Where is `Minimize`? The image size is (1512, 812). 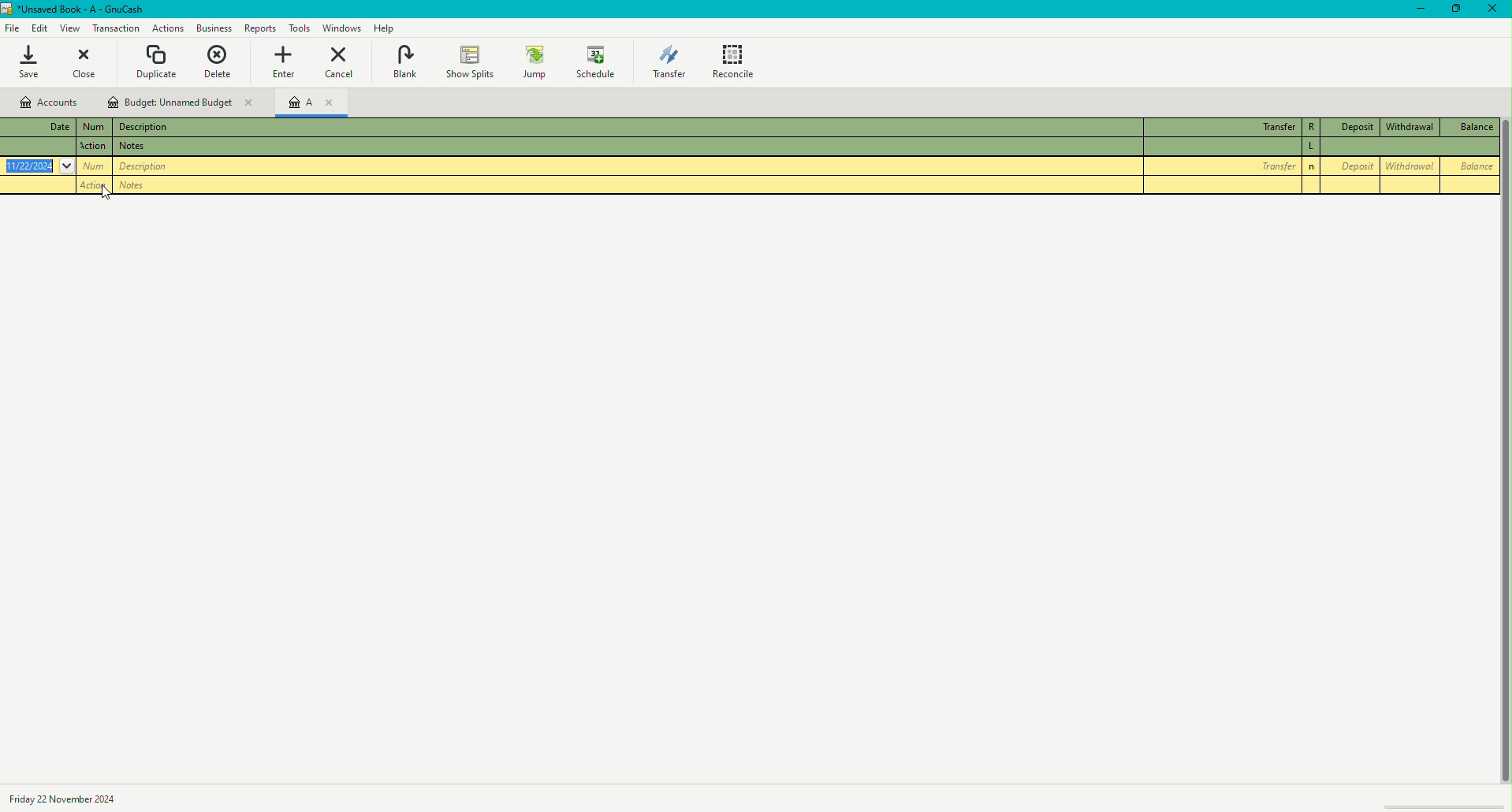
Minimize is located at coordinates (1415, 9).